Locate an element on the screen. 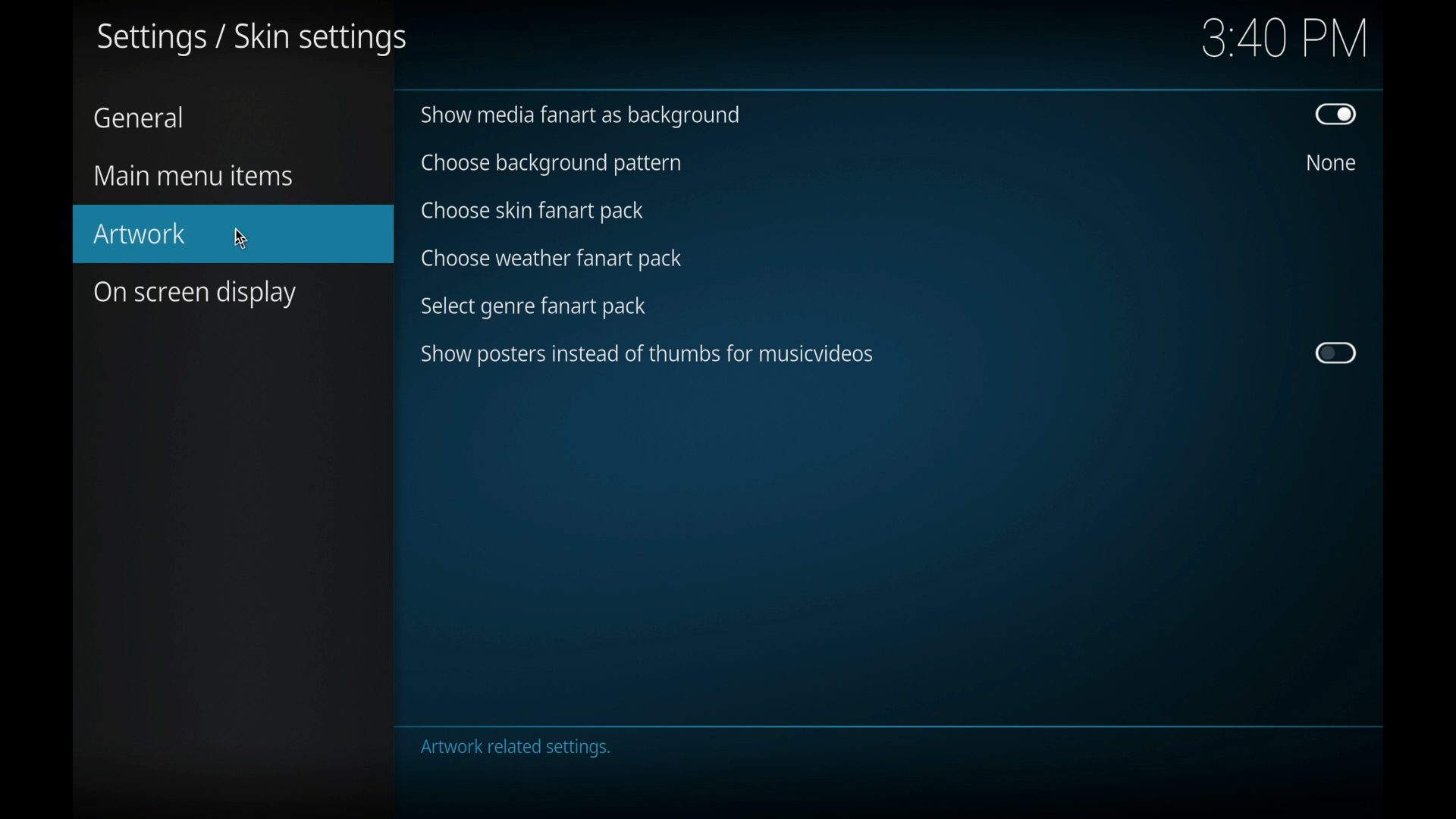 The height and width of the screenshot is (819, 1456). time is located at coordinates (1285, 39).